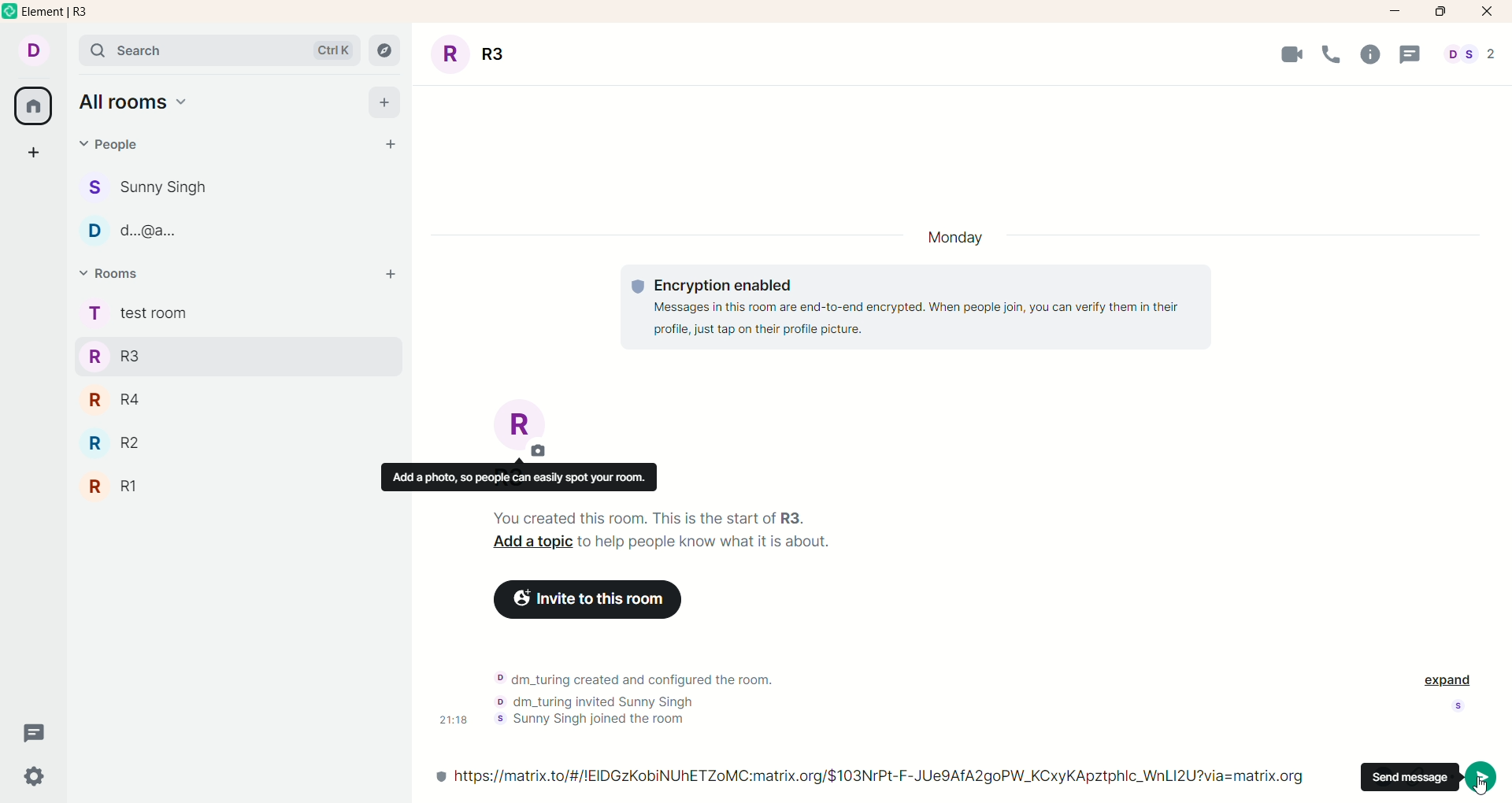  What do you see at coordinates (81, 14) in the screenshot?
I see `element` at bounding box center [81, 14].